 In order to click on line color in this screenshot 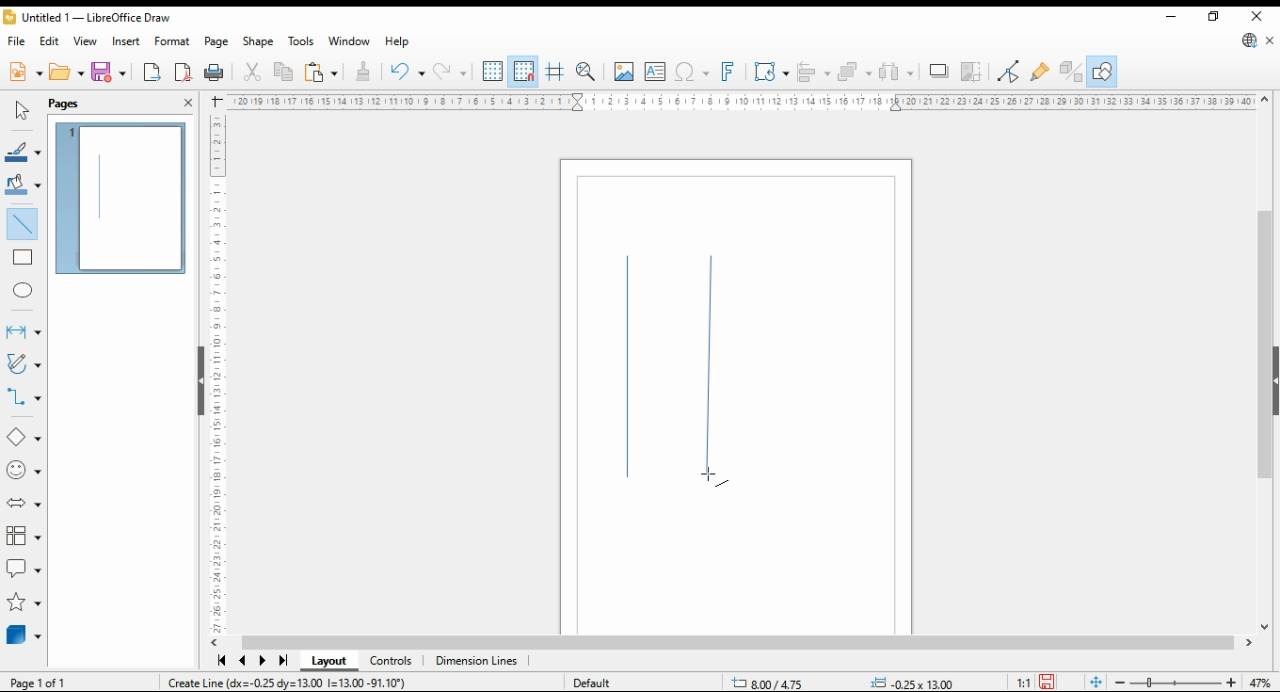, I will do `click(24, 152)`.